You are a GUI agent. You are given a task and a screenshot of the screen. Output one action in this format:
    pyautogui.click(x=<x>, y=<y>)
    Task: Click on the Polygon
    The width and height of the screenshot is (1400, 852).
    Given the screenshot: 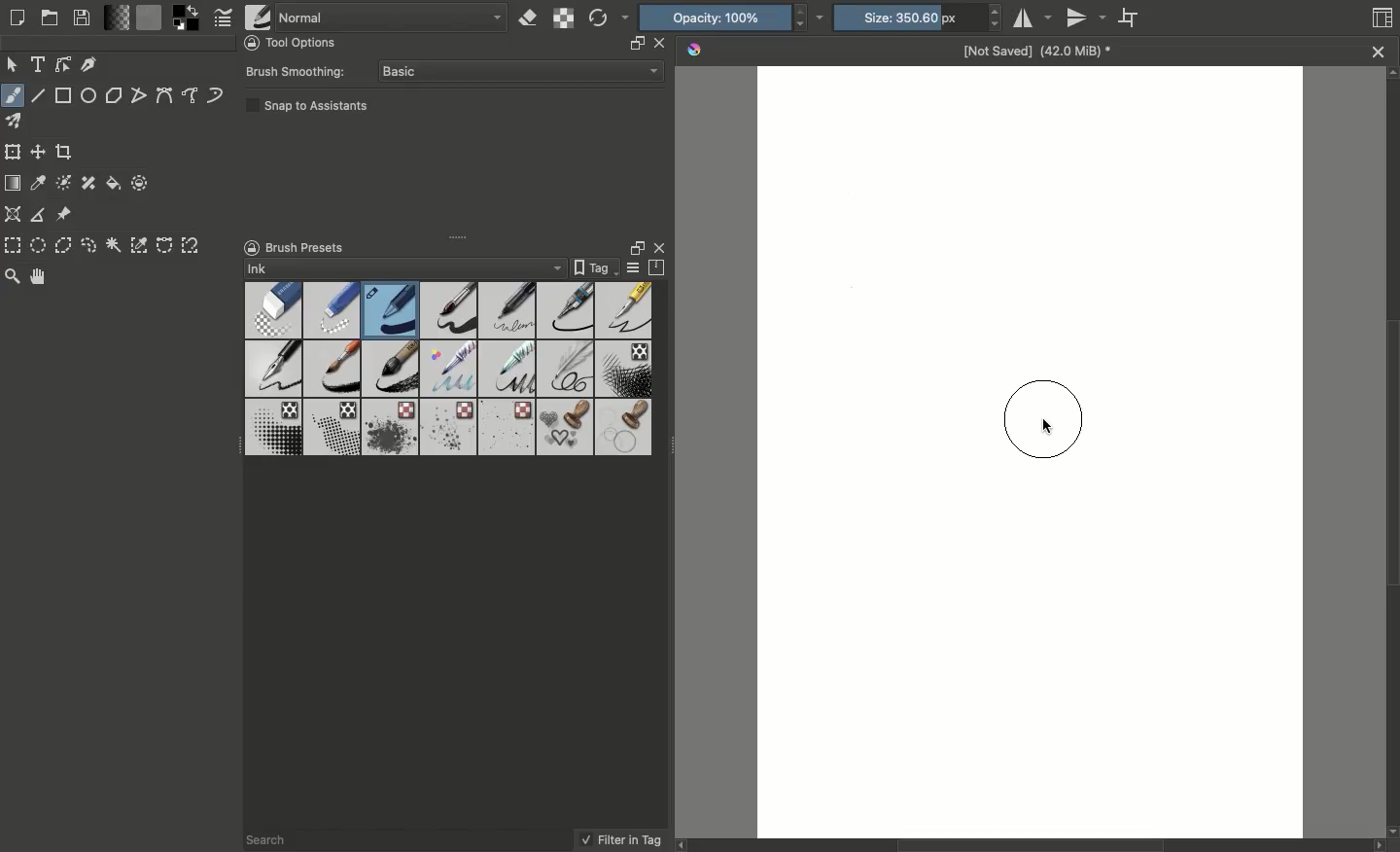 What is the action you would take?
    pyautogui.click(x=115, y=97)
    